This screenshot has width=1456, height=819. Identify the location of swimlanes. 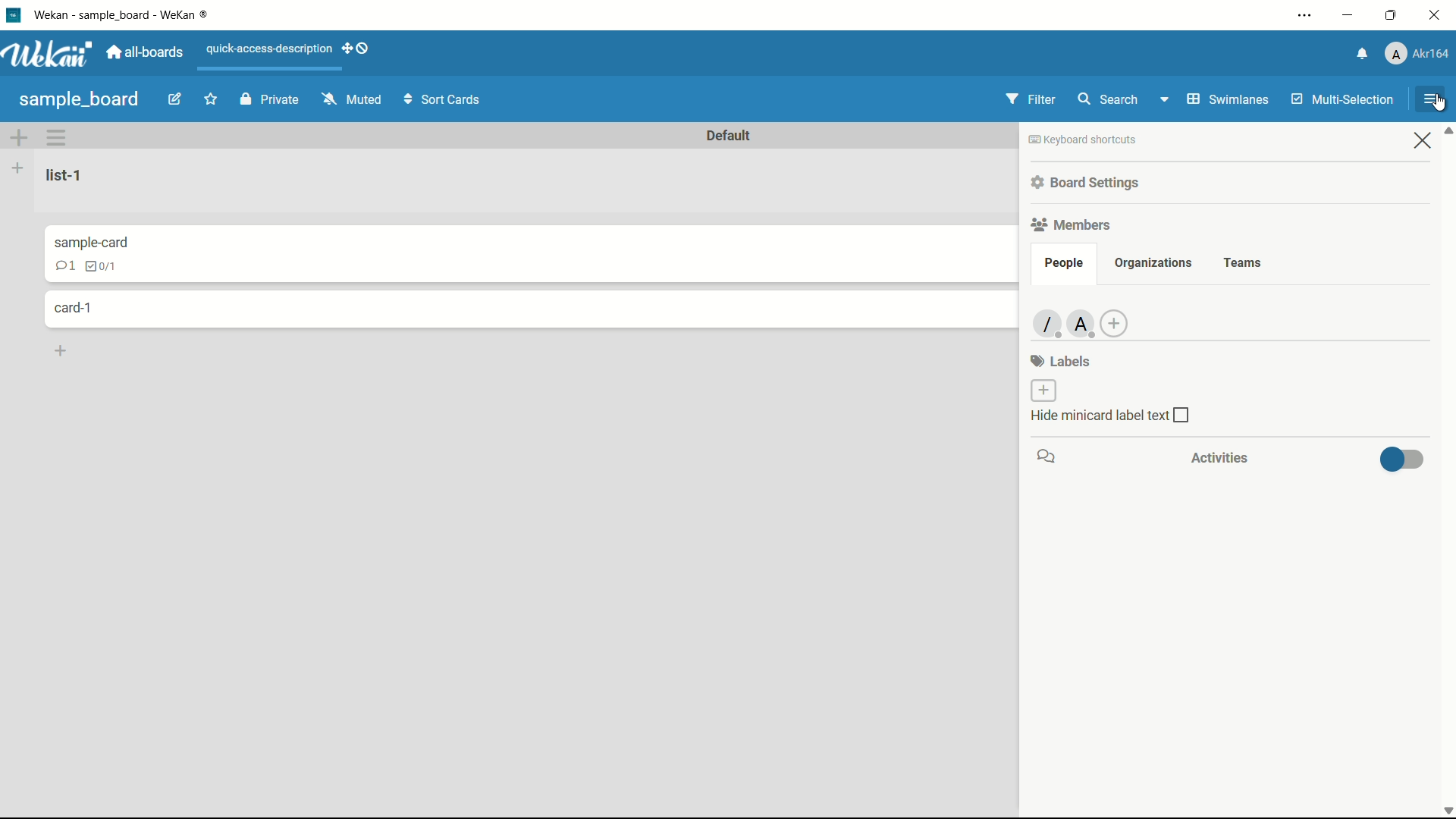
(1216, 99).